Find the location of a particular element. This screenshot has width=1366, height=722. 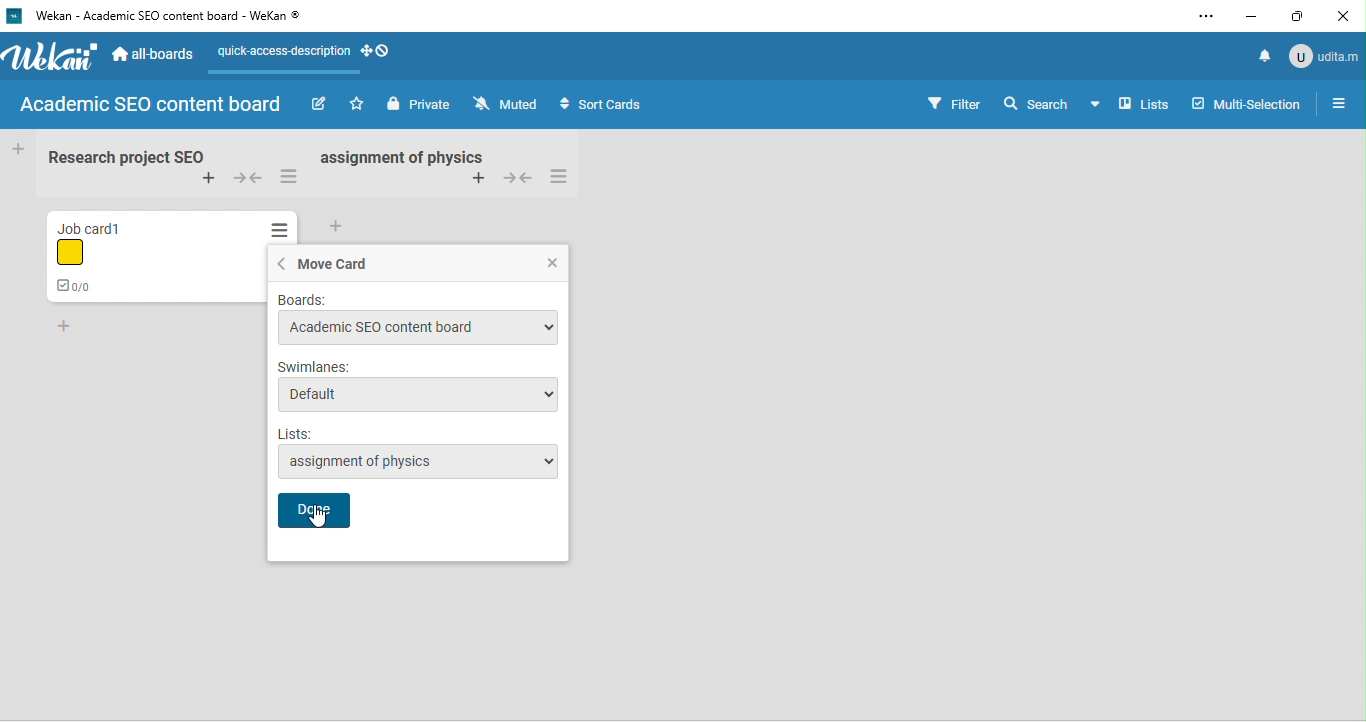

list actions is located at coordinates (570, 178).